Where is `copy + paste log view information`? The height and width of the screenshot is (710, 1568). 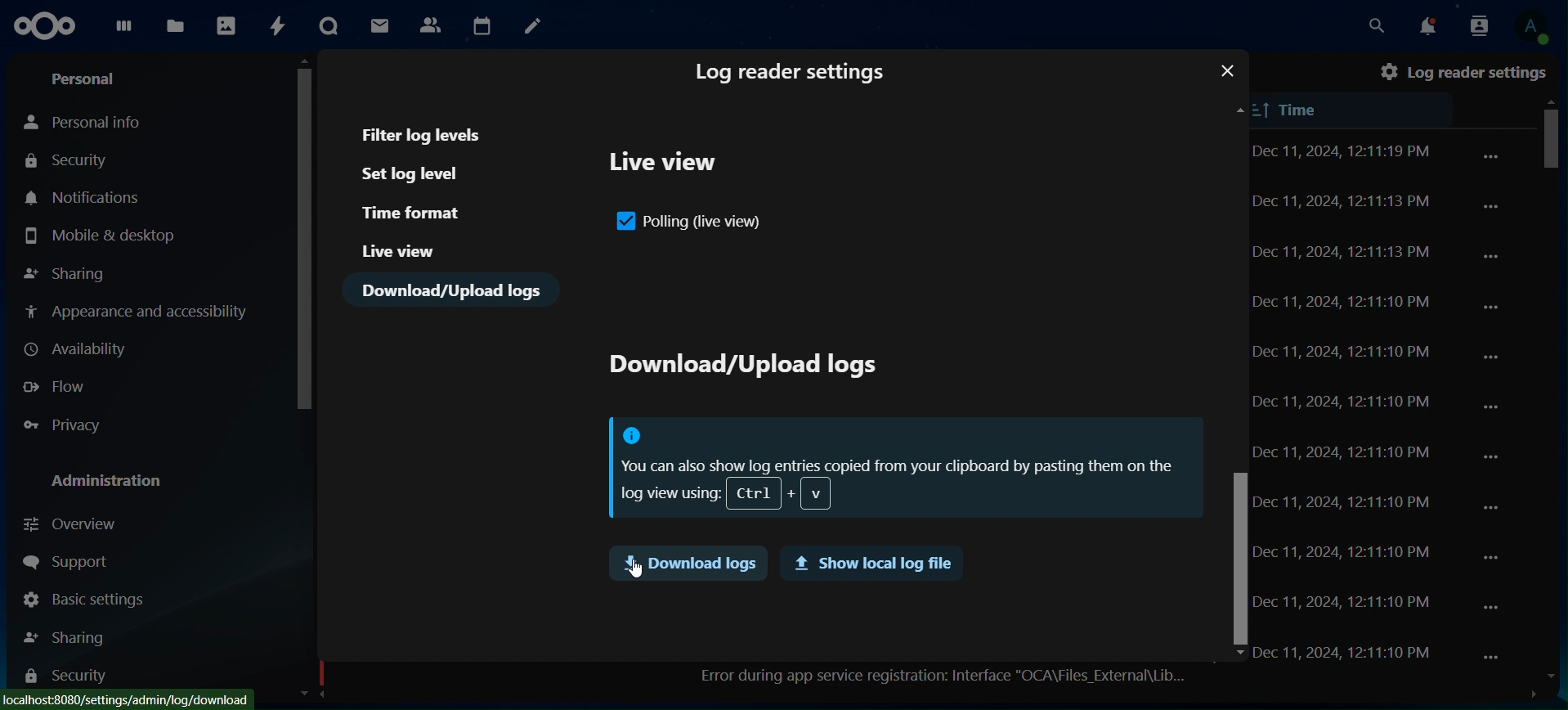
copy + paste log view information is located at coordinates (902, 469).